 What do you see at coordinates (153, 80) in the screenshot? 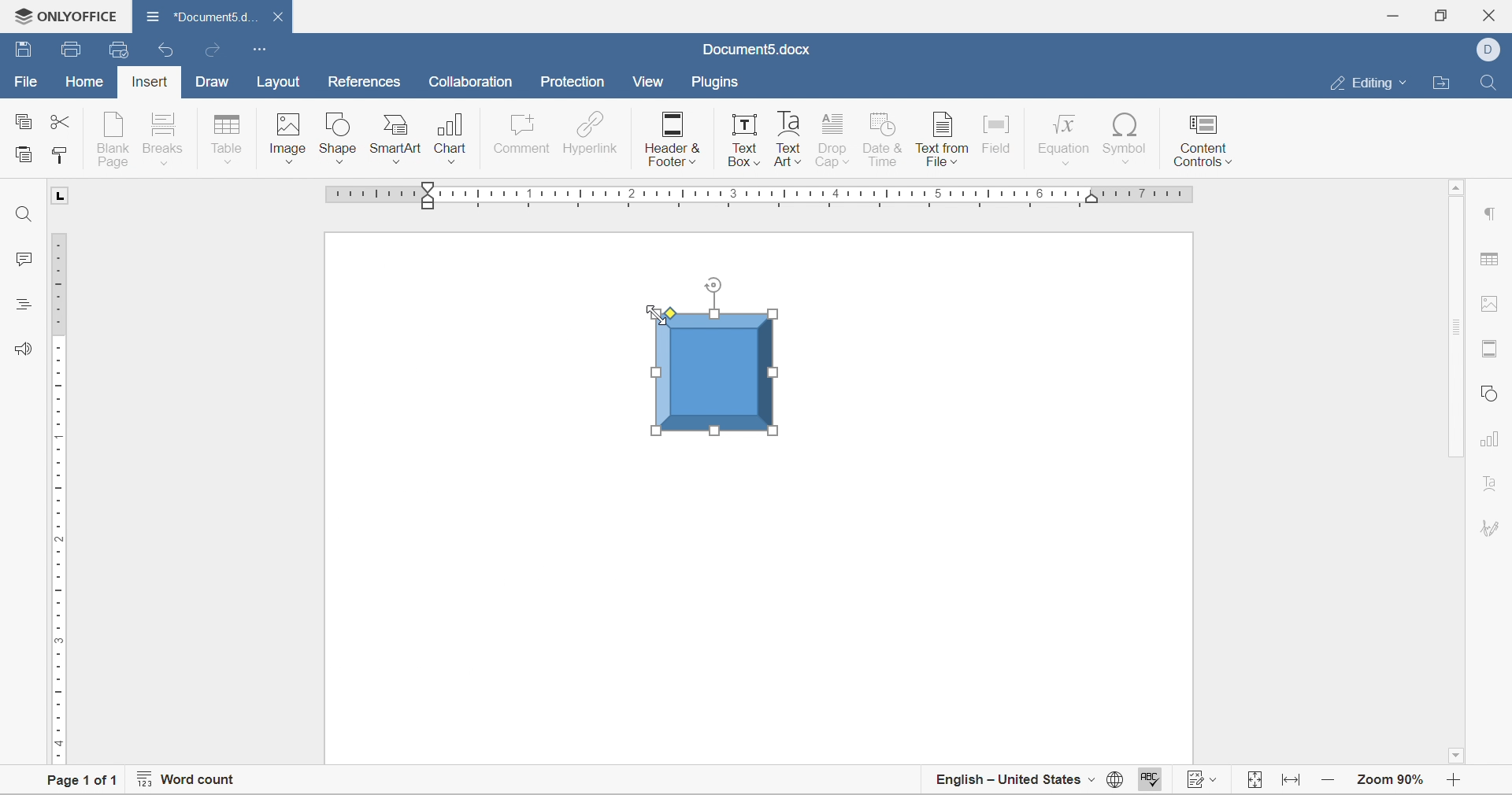
I see `insert` at bounding box center [153, 80].